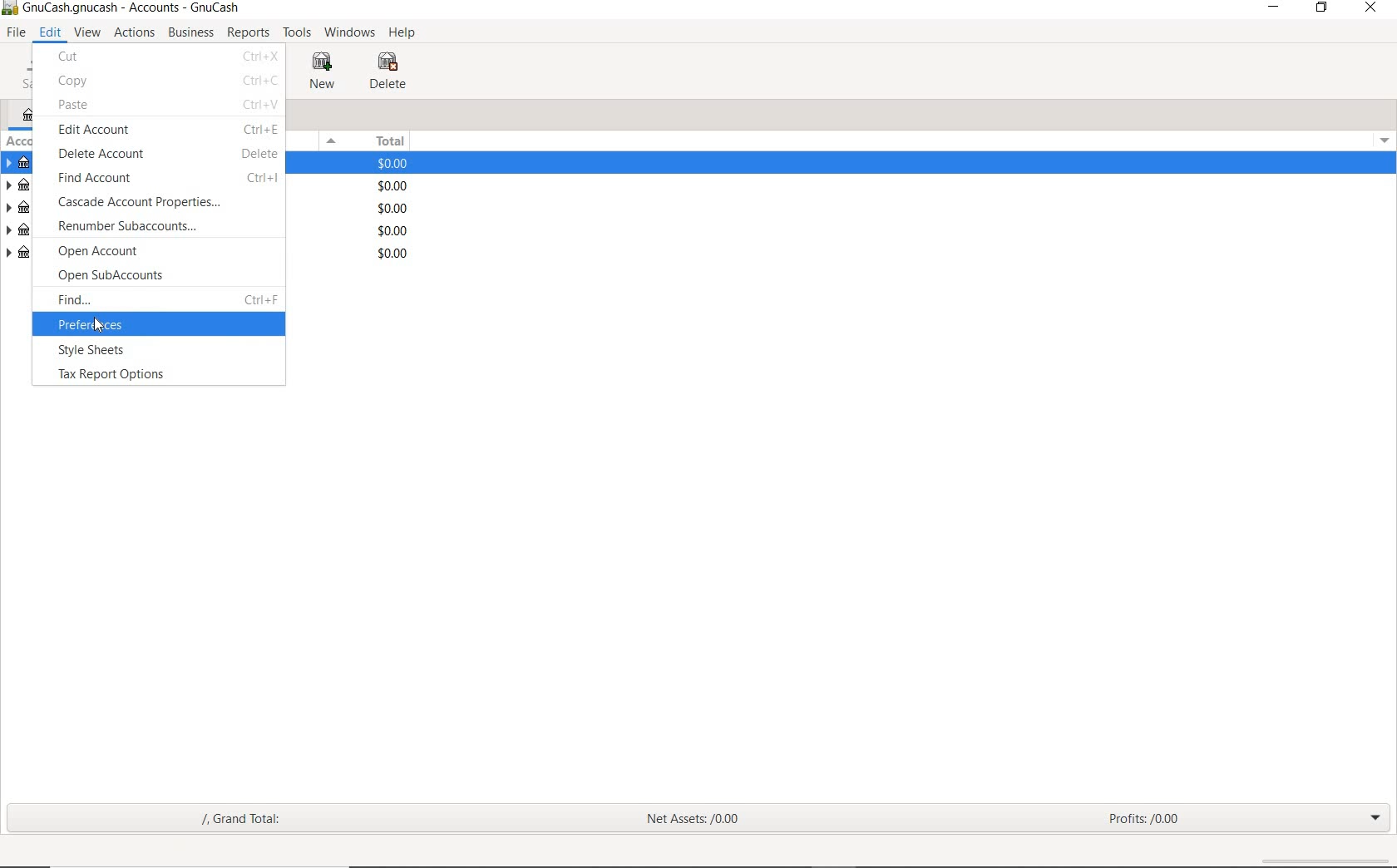 Image resolution: width=1397 pixels, height=868 pixels. I want to click on cascade account properties, so click(138, 204).